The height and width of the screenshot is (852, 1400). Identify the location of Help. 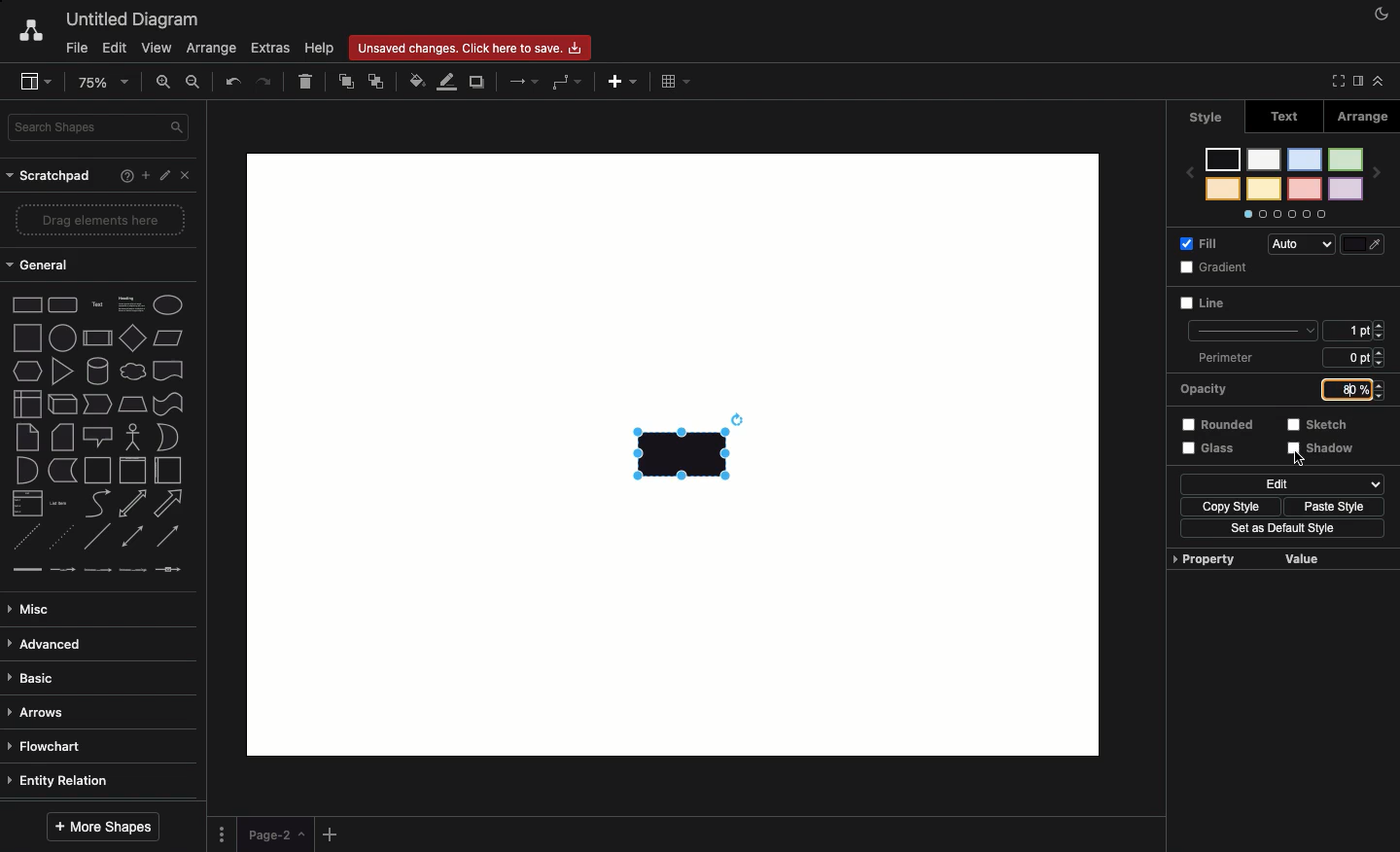
(322, 49).